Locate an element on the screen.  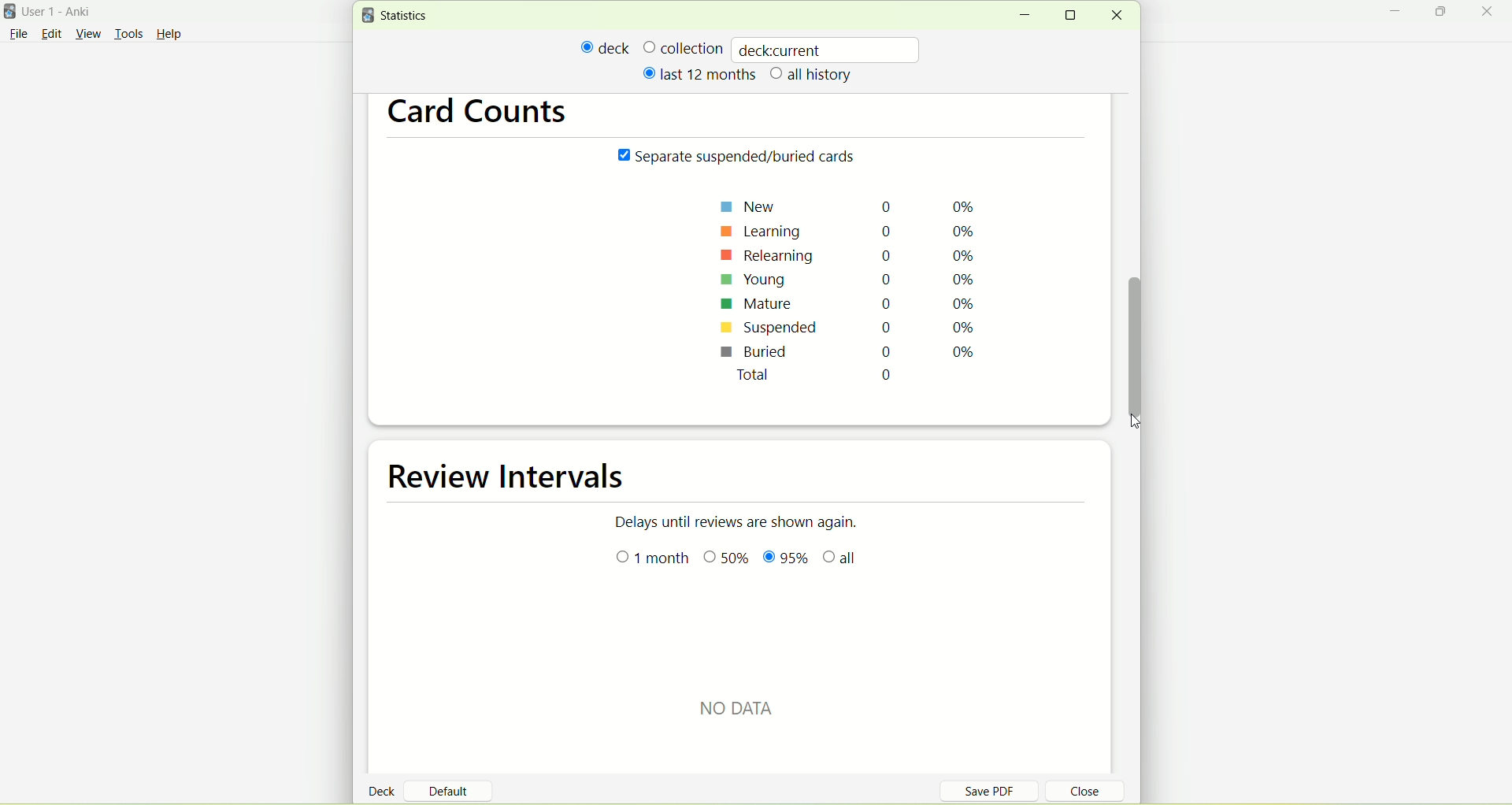
all is located at coordinates (843, 560).